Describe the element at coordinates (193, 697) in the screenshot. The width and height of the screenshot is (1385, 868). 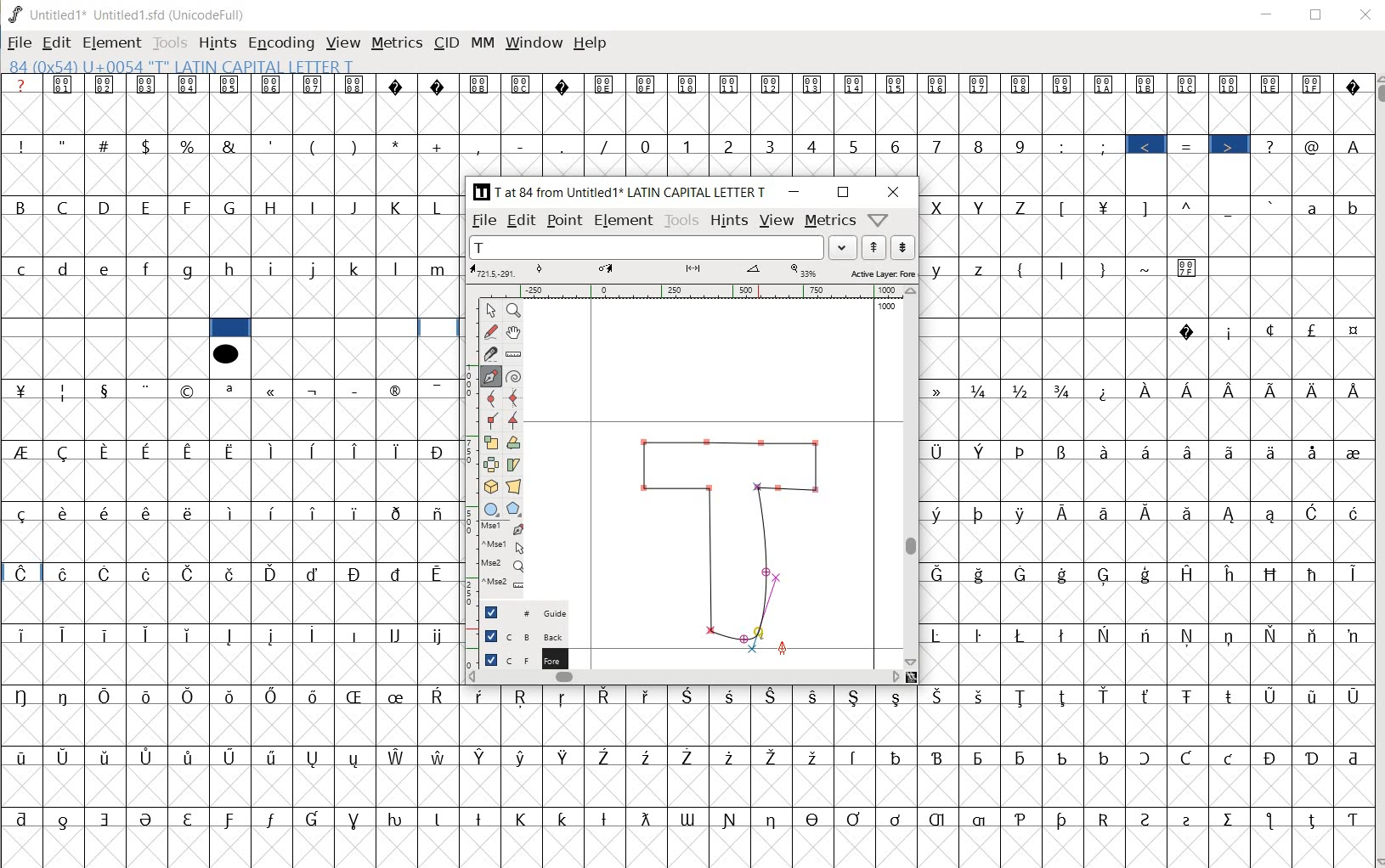
I see `Symbol` at that location.